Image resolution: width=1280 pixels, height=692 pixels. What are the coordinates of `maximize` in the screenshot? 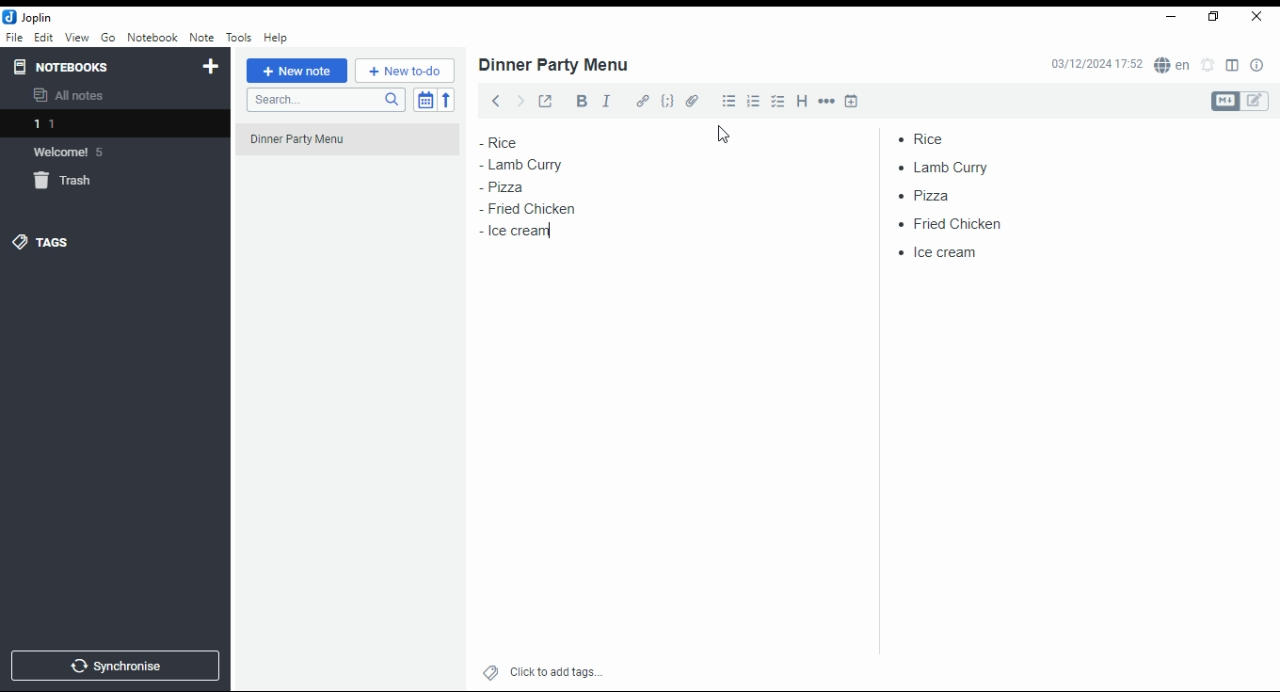 It's located at (1215, 18).